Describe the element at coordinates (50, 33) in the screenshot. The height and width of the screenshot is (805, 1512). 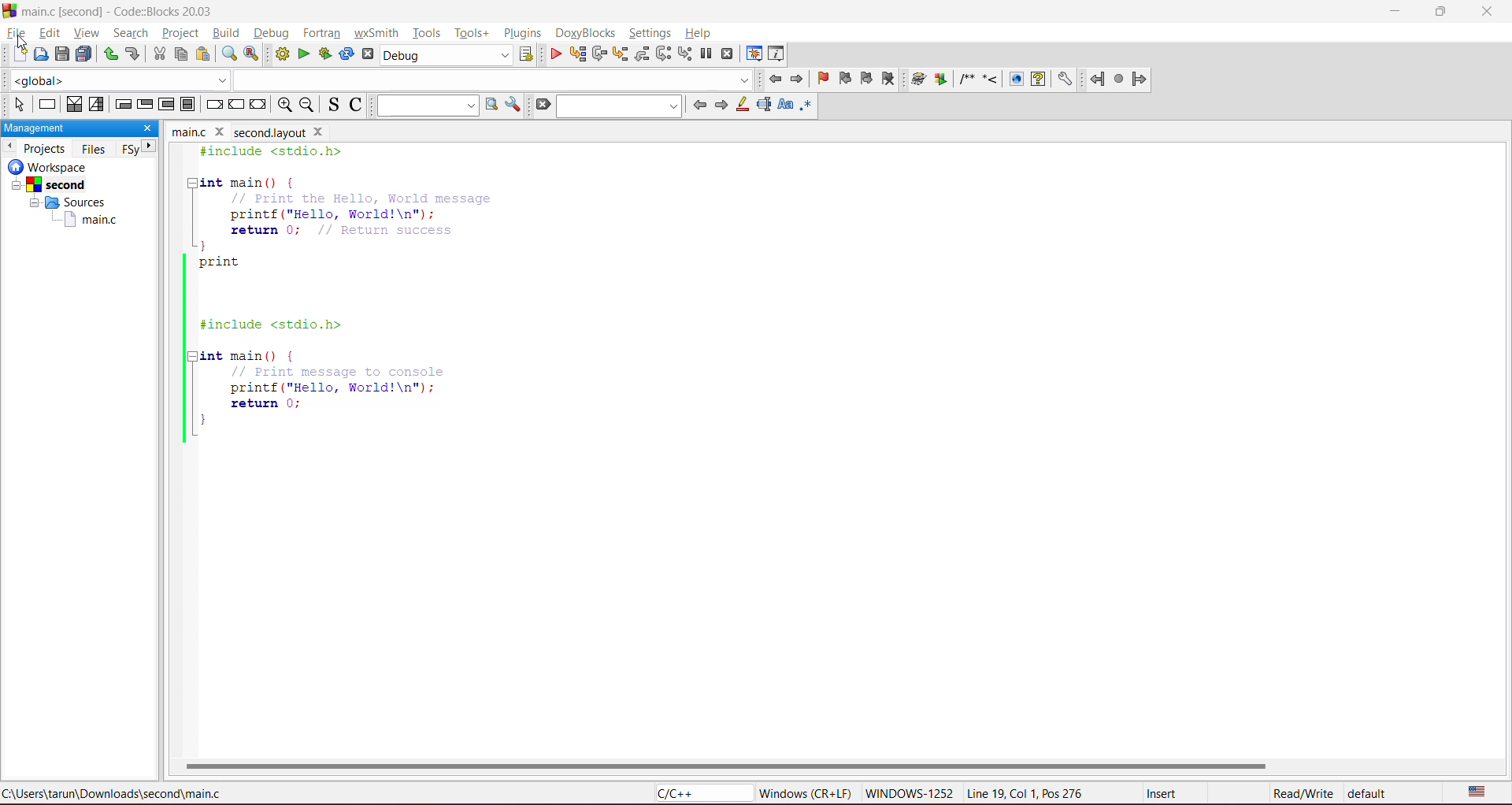
I see `edit` at that location.